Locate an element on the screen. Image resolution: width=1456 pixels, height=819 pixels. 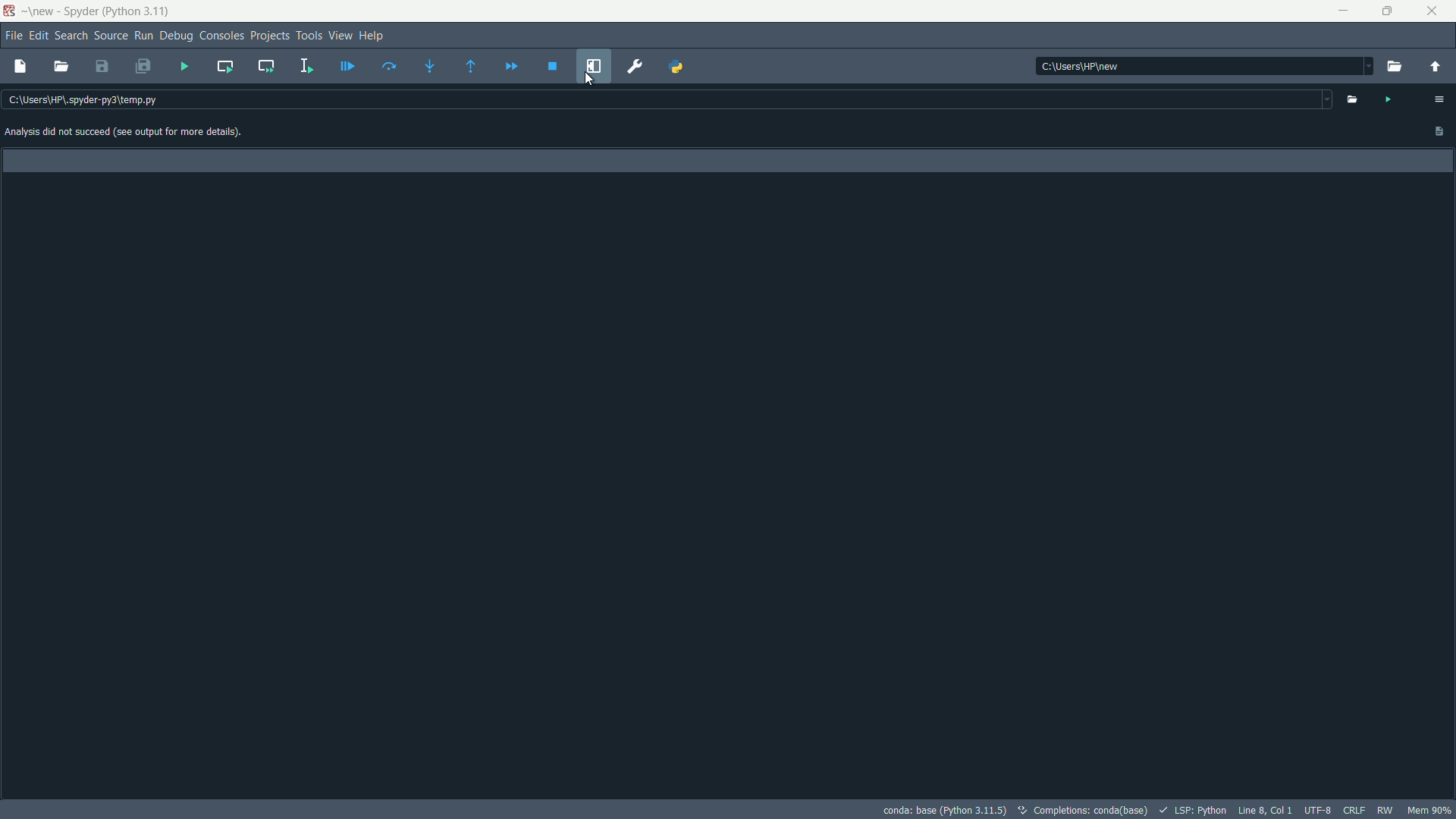
run current cell is located at coordinates (224, 65).